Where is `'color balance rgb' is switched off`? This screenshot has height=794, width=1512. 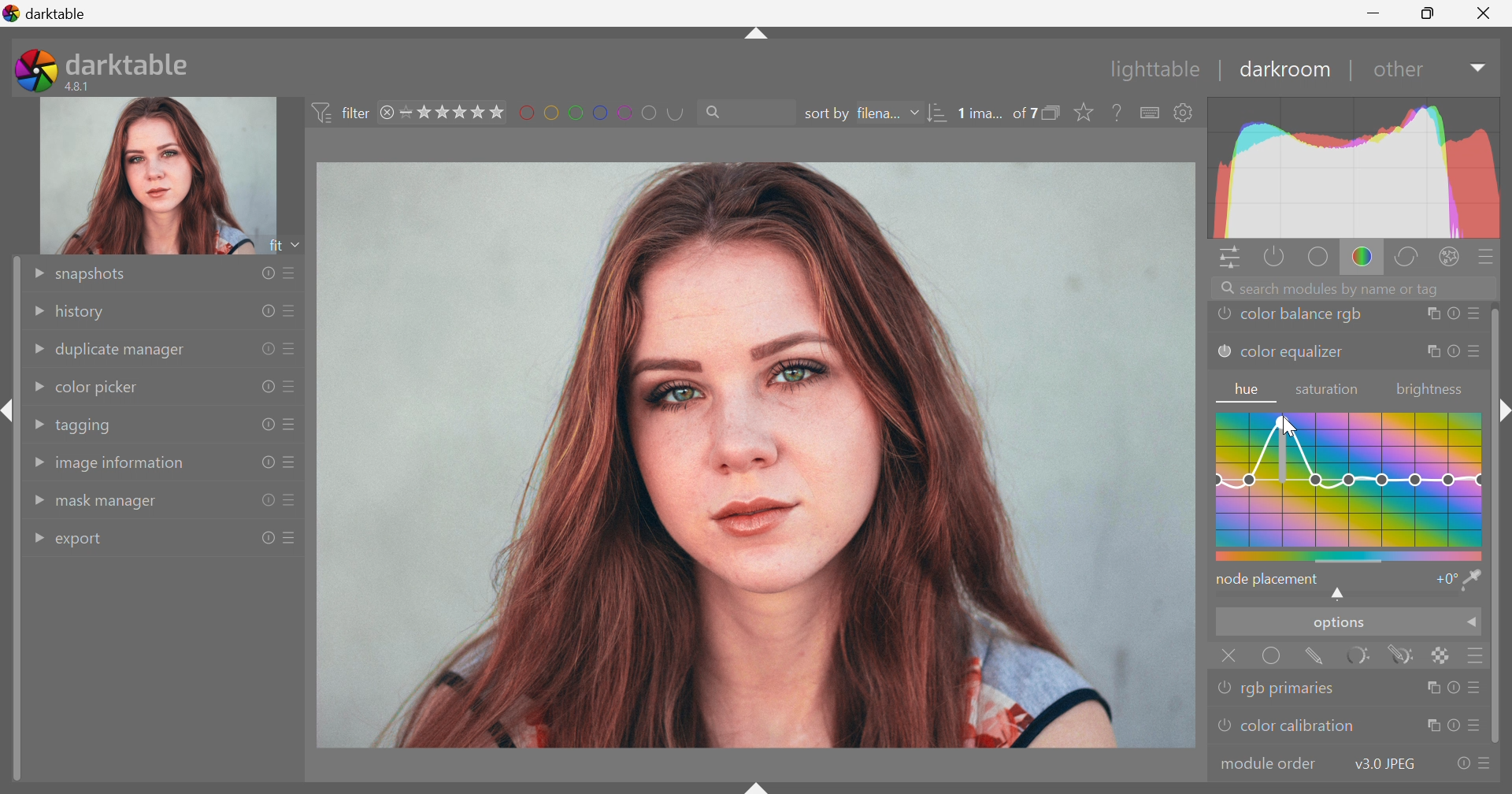 'color balance rgb' is switched off is located at coordinates (1225, 316).